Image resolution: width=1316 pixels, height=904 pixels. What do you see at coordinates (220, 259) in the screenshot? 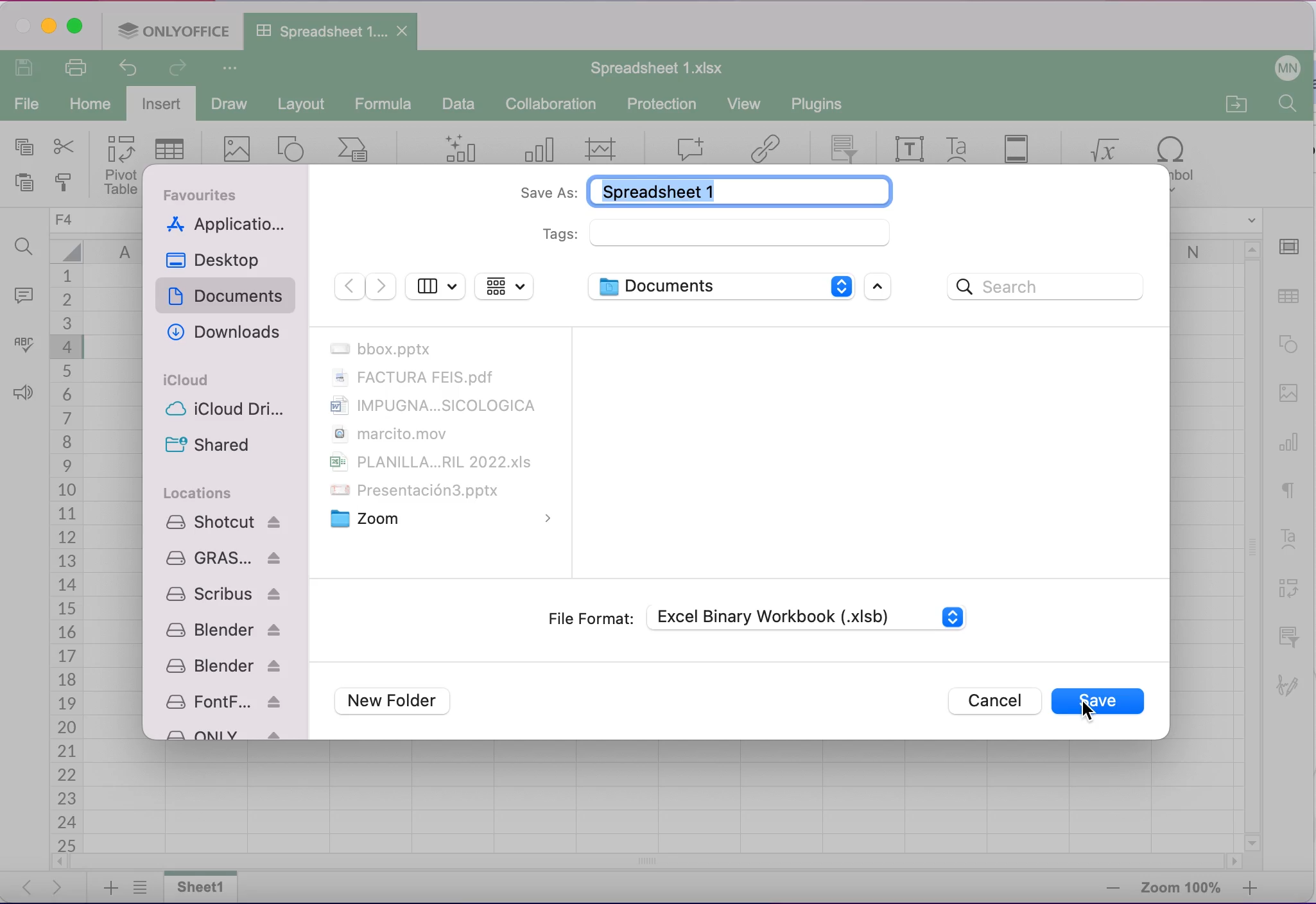
I see `desktop` at bounding box center [220, 259].